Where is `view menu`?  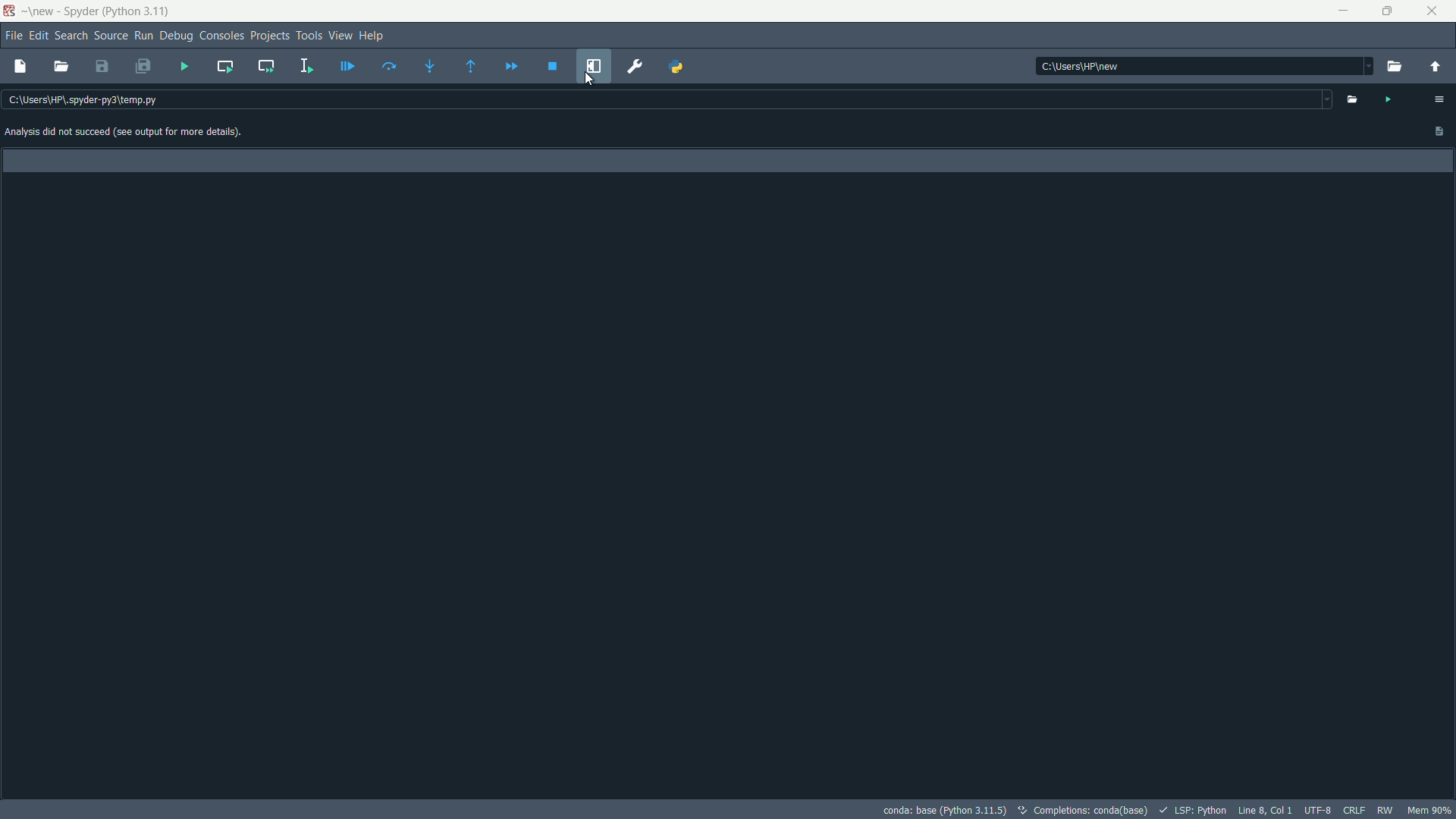 view menu is located at coordinates (340, 35).